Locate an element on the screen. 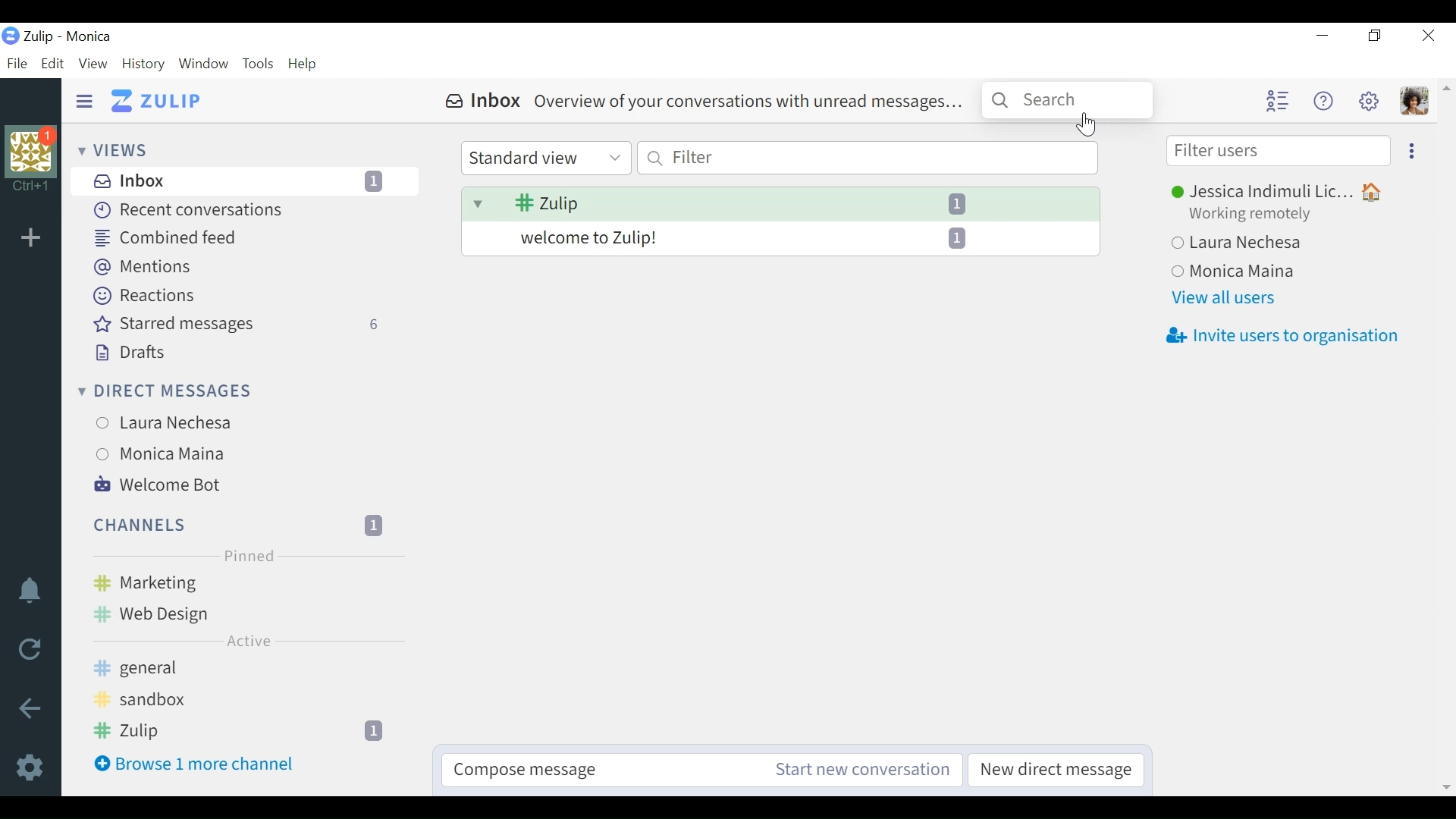 This screenshot has width=1456, height=819. Back is located at coordinates (28, 706).